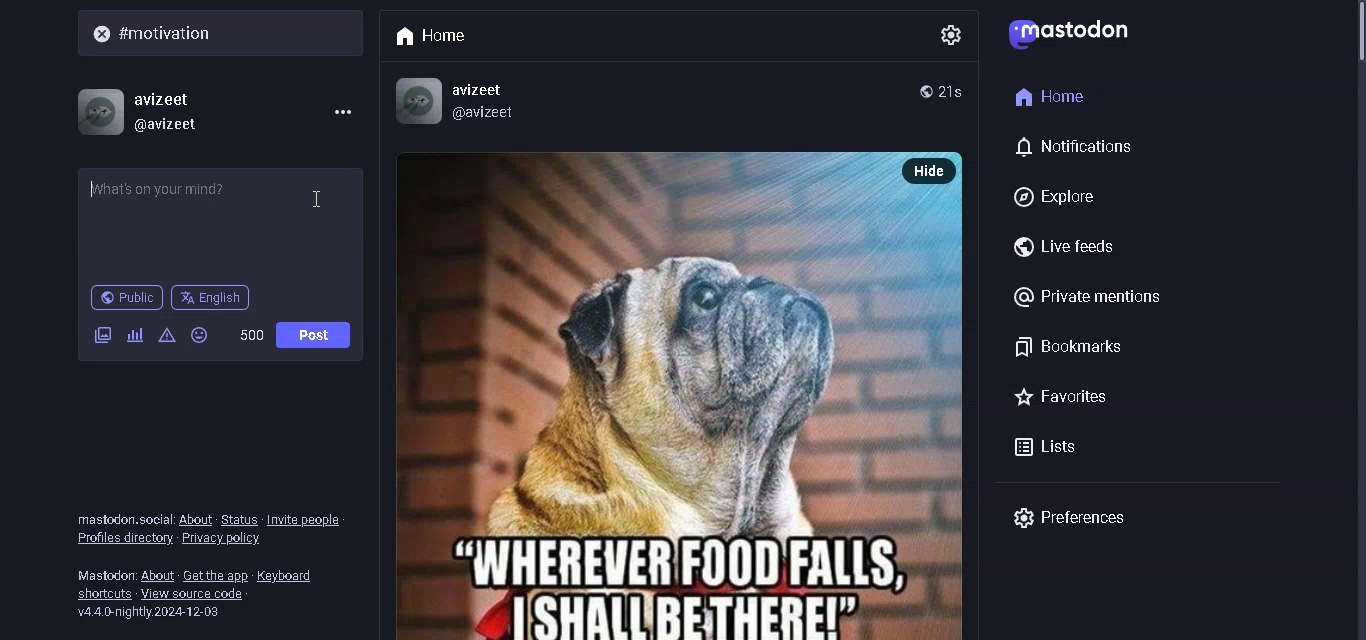  Describe the element at coordinates (925, 90) in the screenshot. I see `global post` at that location.